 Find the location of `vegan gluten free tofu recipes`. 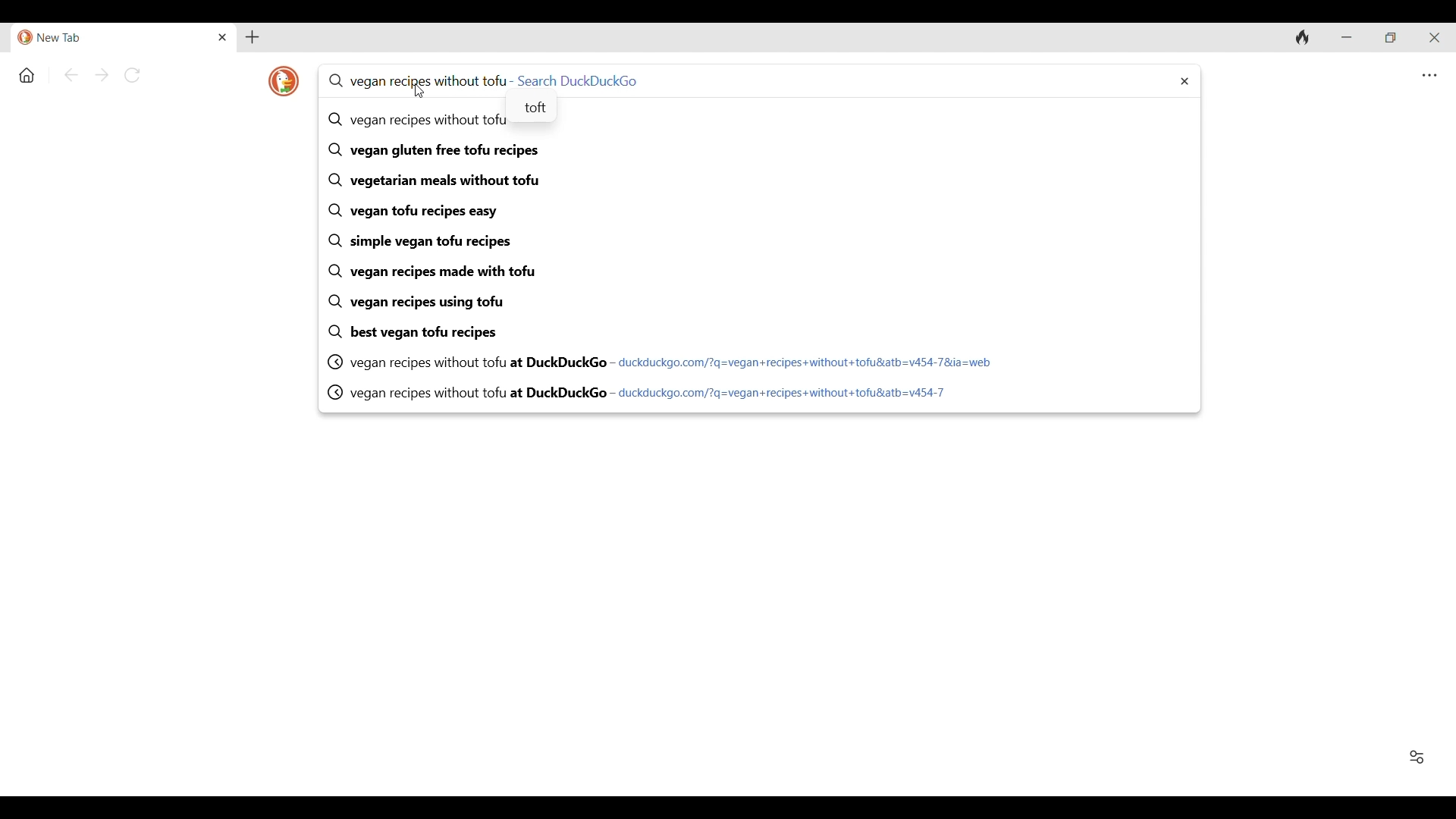

vegan gluten free tofu recipes is located at coordinates (758, 151).